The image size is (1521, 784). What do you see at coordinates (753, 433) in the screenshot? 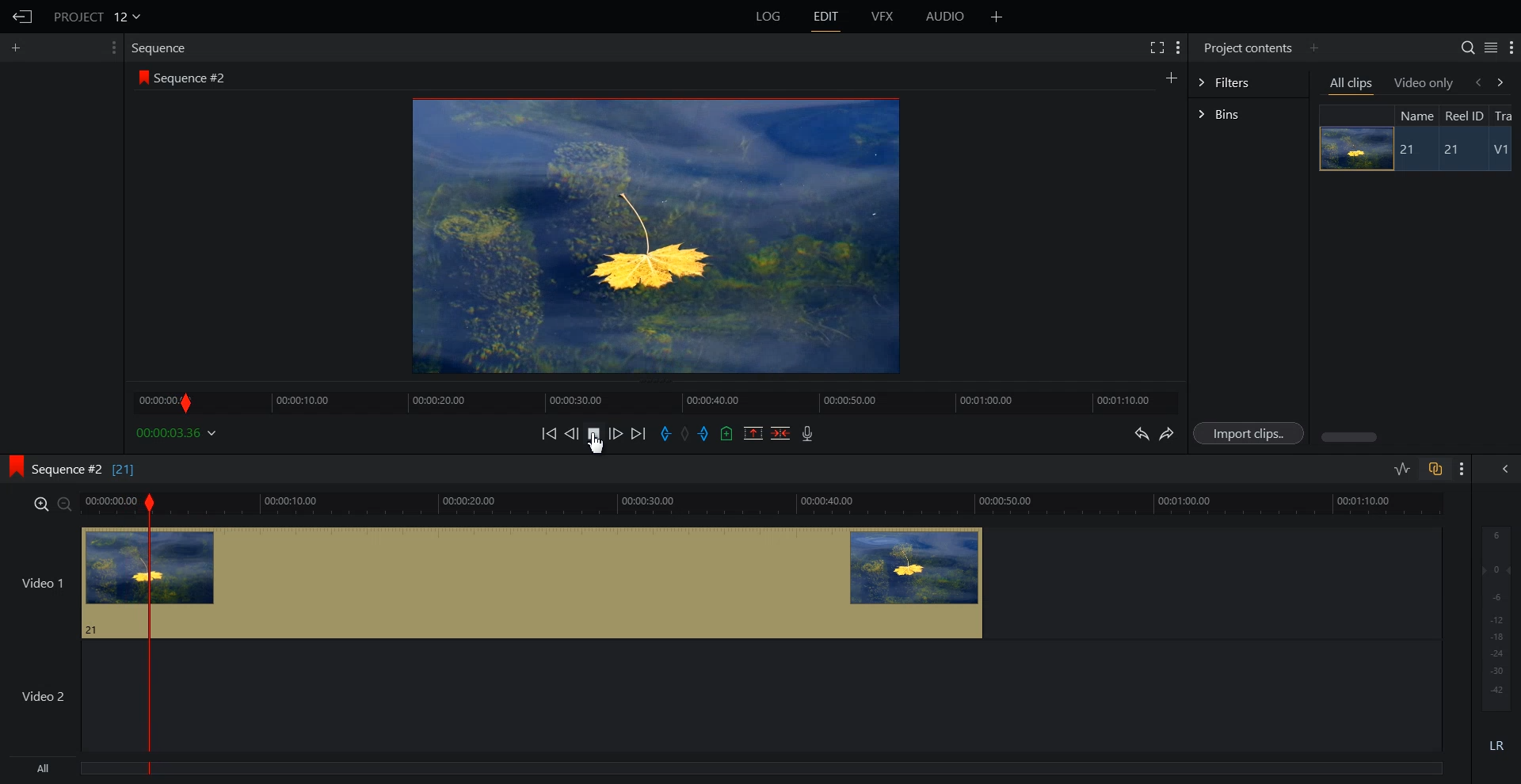
I see `Remove Mark Section` at bounding box center [753, 433].